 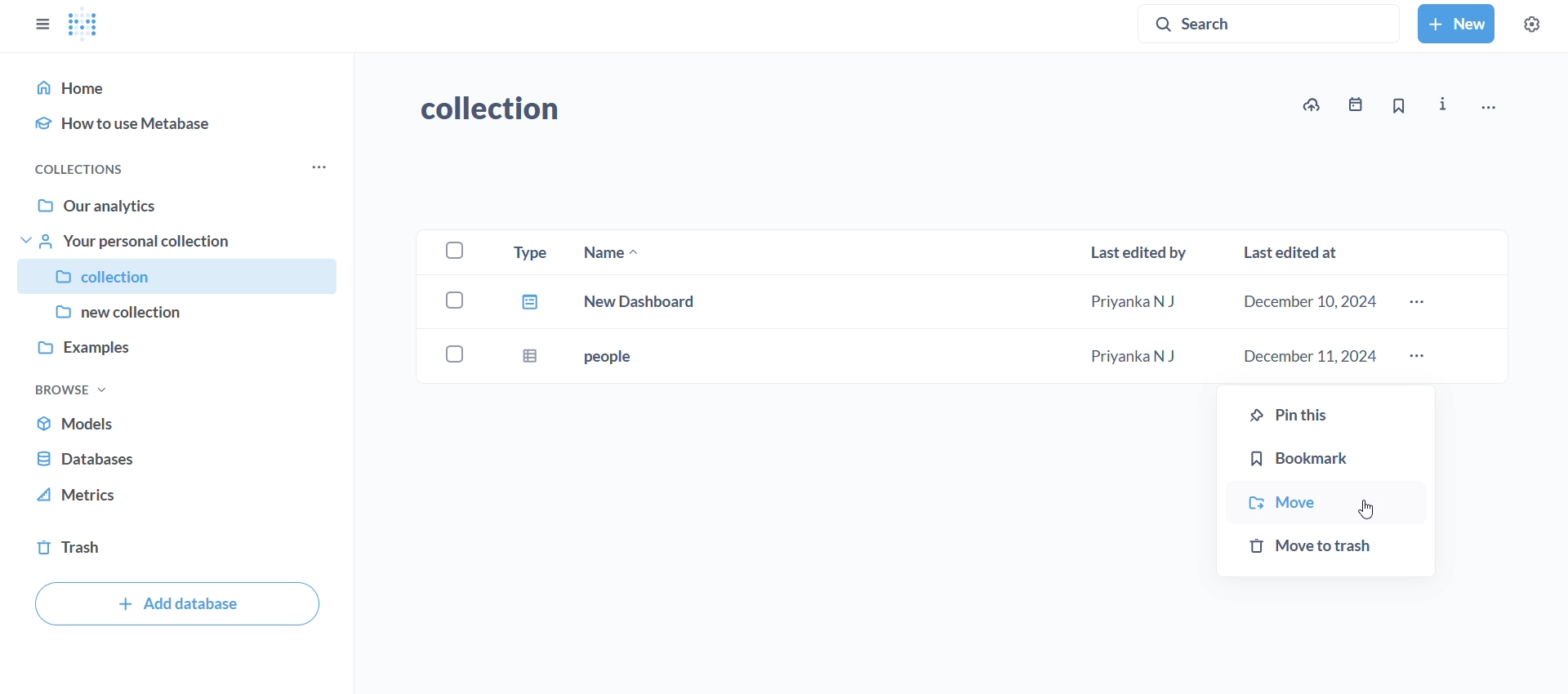 I want to click on bookmarks, so click(x=1396, y=107).